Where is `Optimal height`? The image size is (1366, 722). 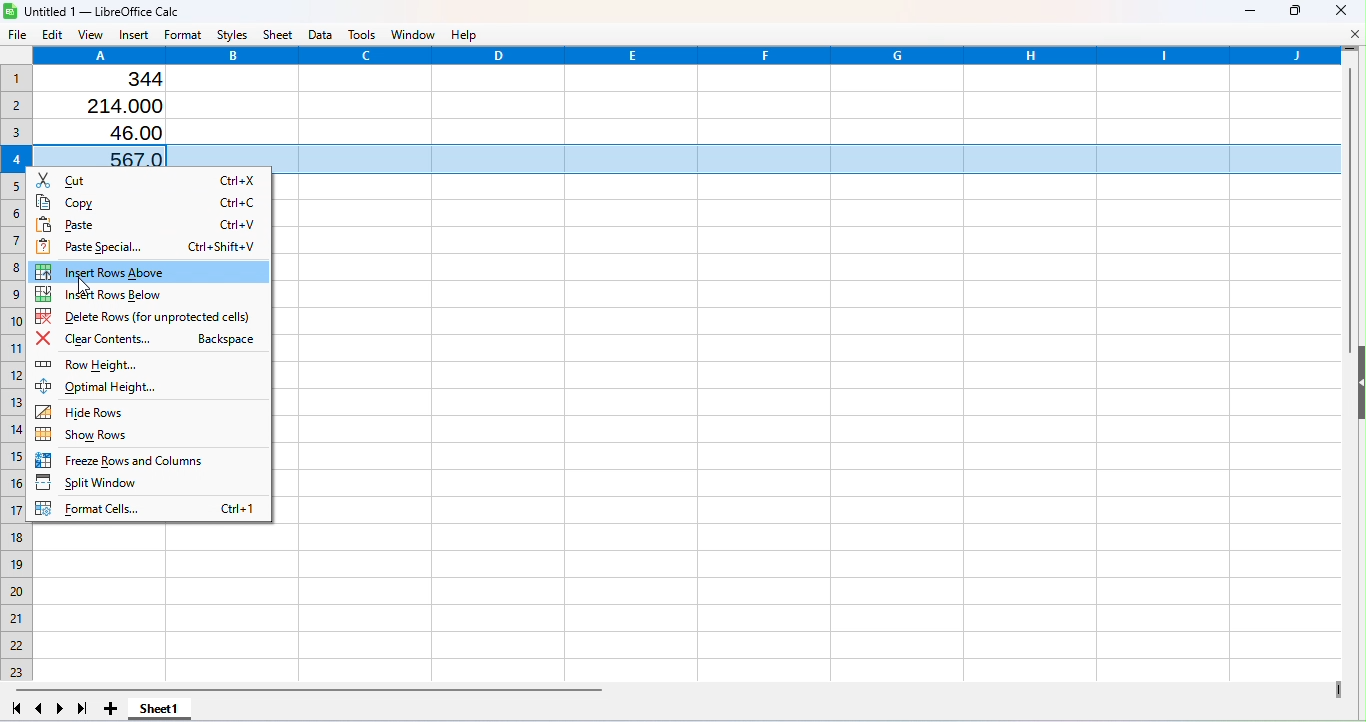 Optimal height is located at coordinates (140, 387).